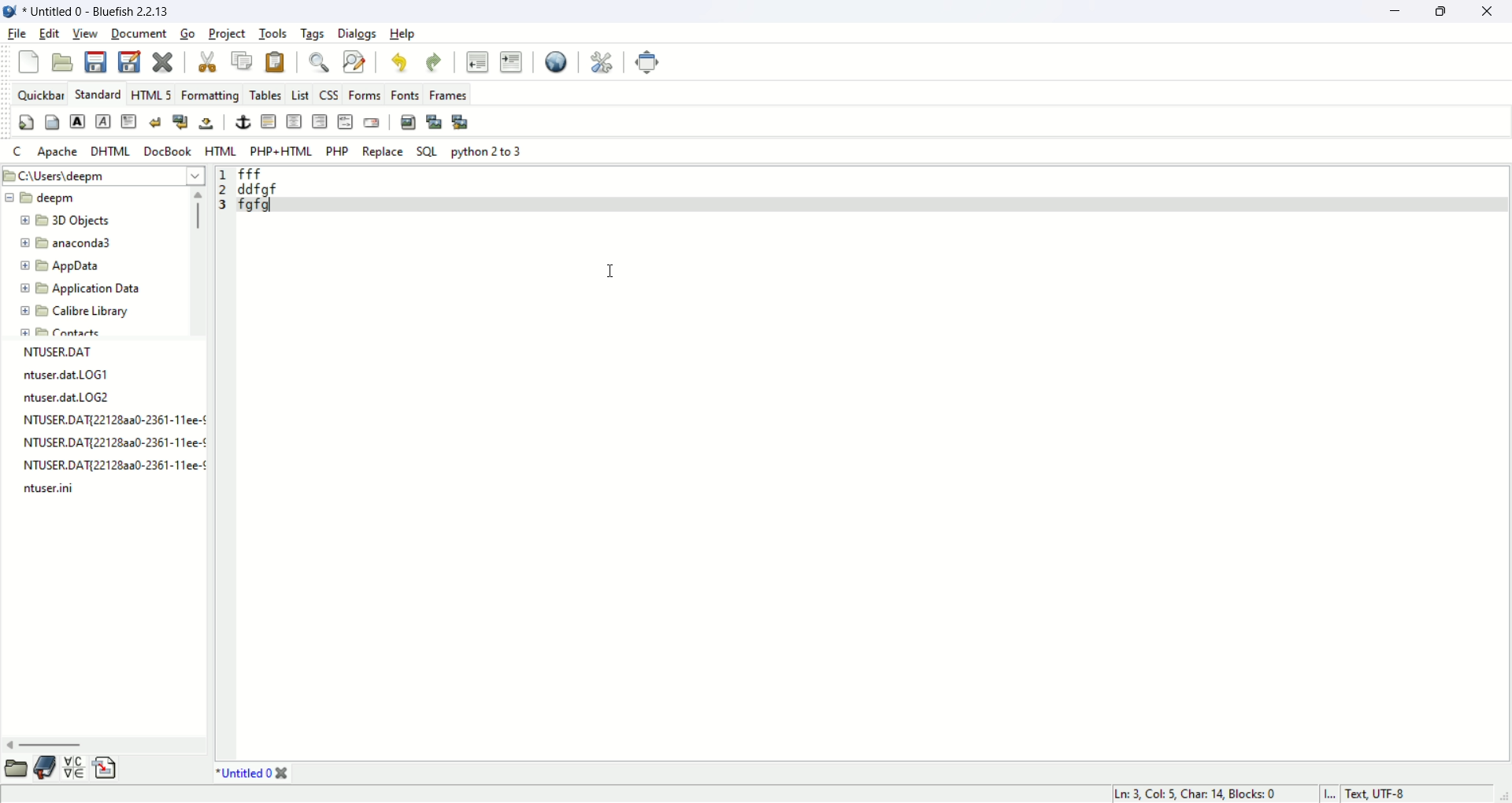 The width and height of the screenshot is (1512, 803). Describe the element at coordinates (372, 122) in the screenshot. I see `email` at that location.